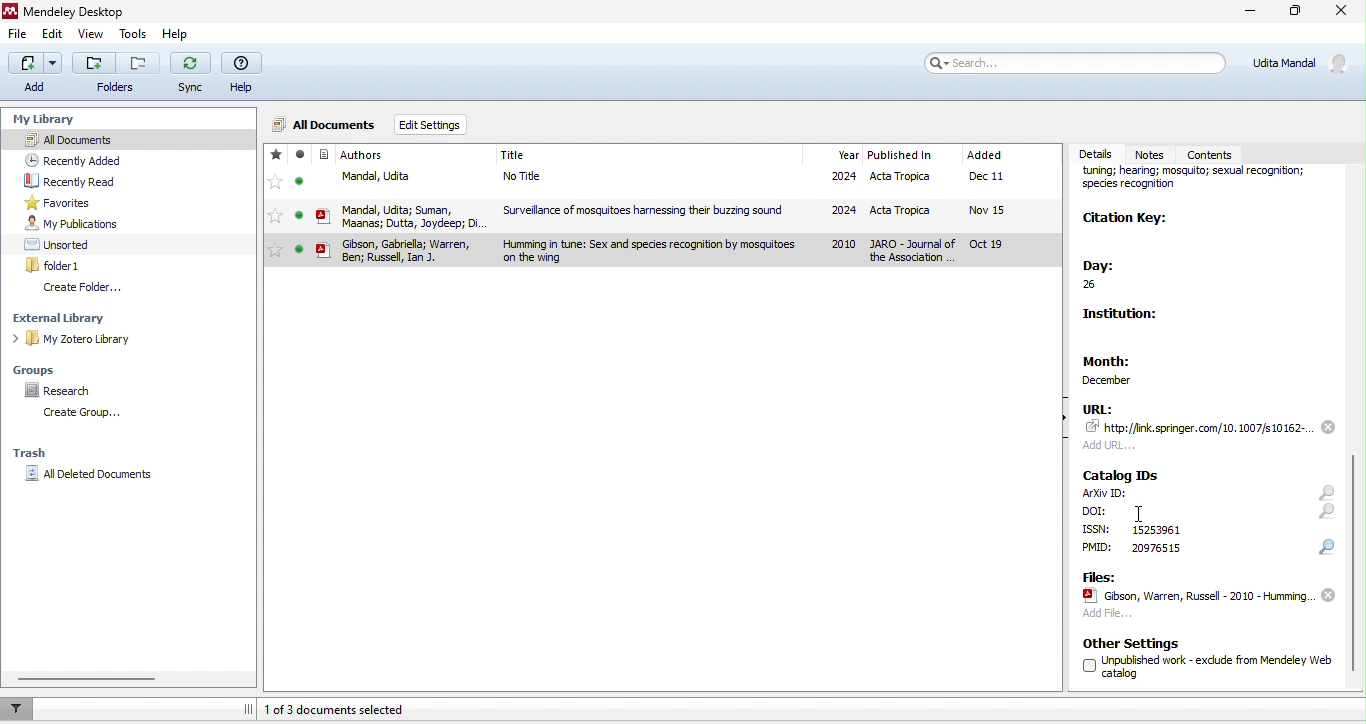 Image resolution: width=1366 pixels, height=724 pixels. What do you see at coordinates (1098, 408) in the screenshot?
I see `url` at bounding box center [1098, 408].